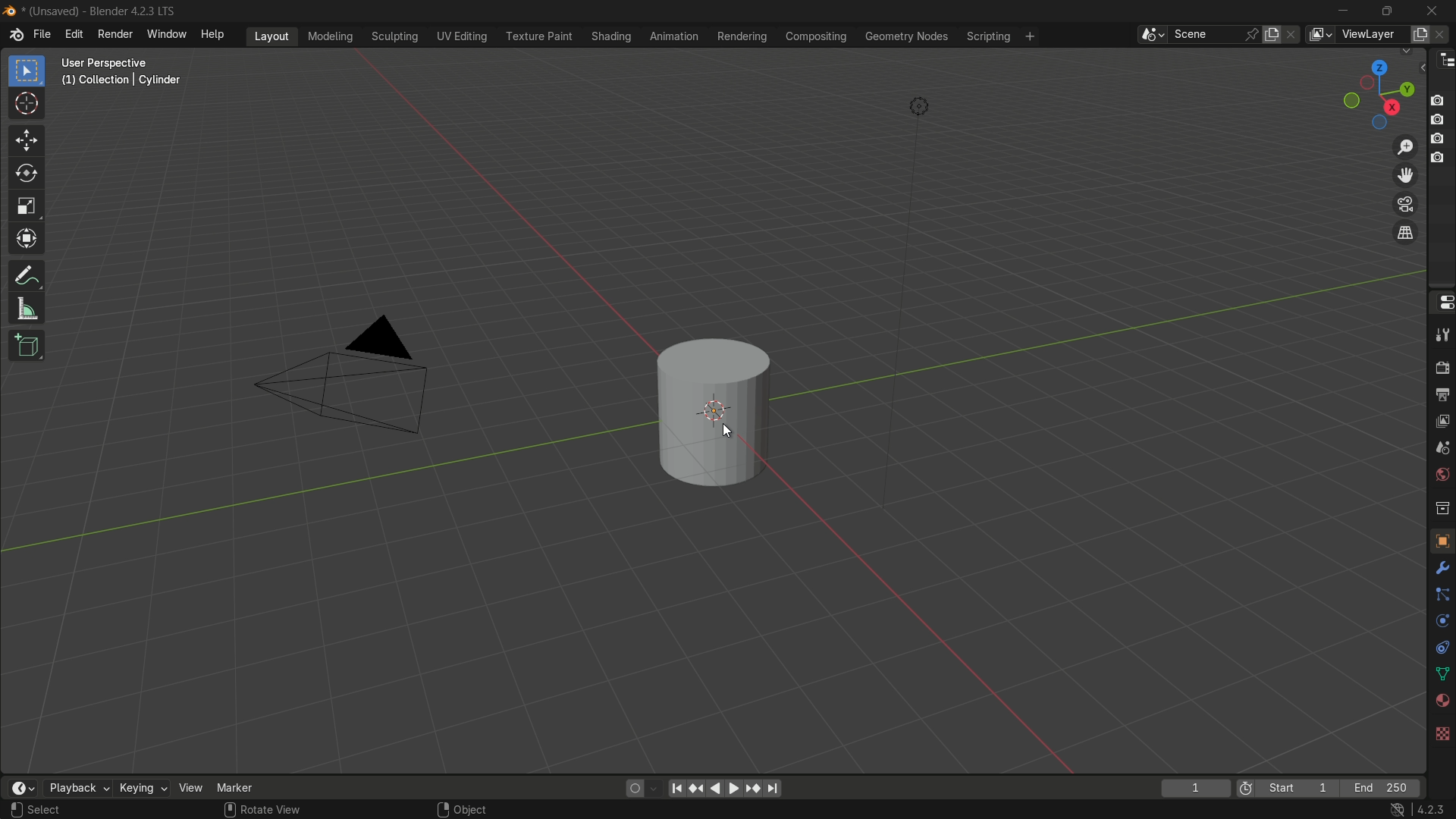 Image resolution: width=1456 pixels, height=819 pixels. Describe the element at coordinates (1441, 337) in the screenshot. I see `tools` at that location.